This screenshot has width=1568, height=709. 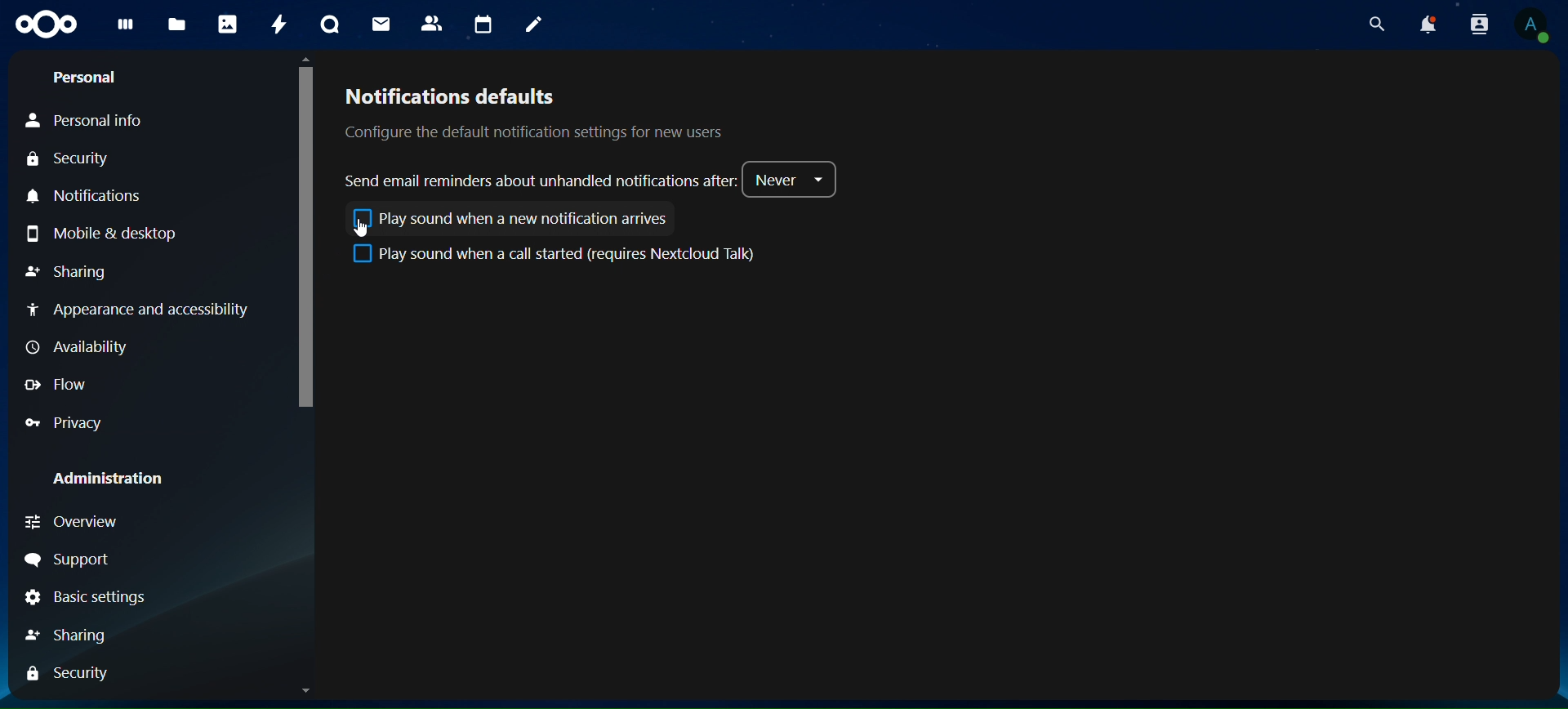 I want to click on icon, so click(x=44, y=26).